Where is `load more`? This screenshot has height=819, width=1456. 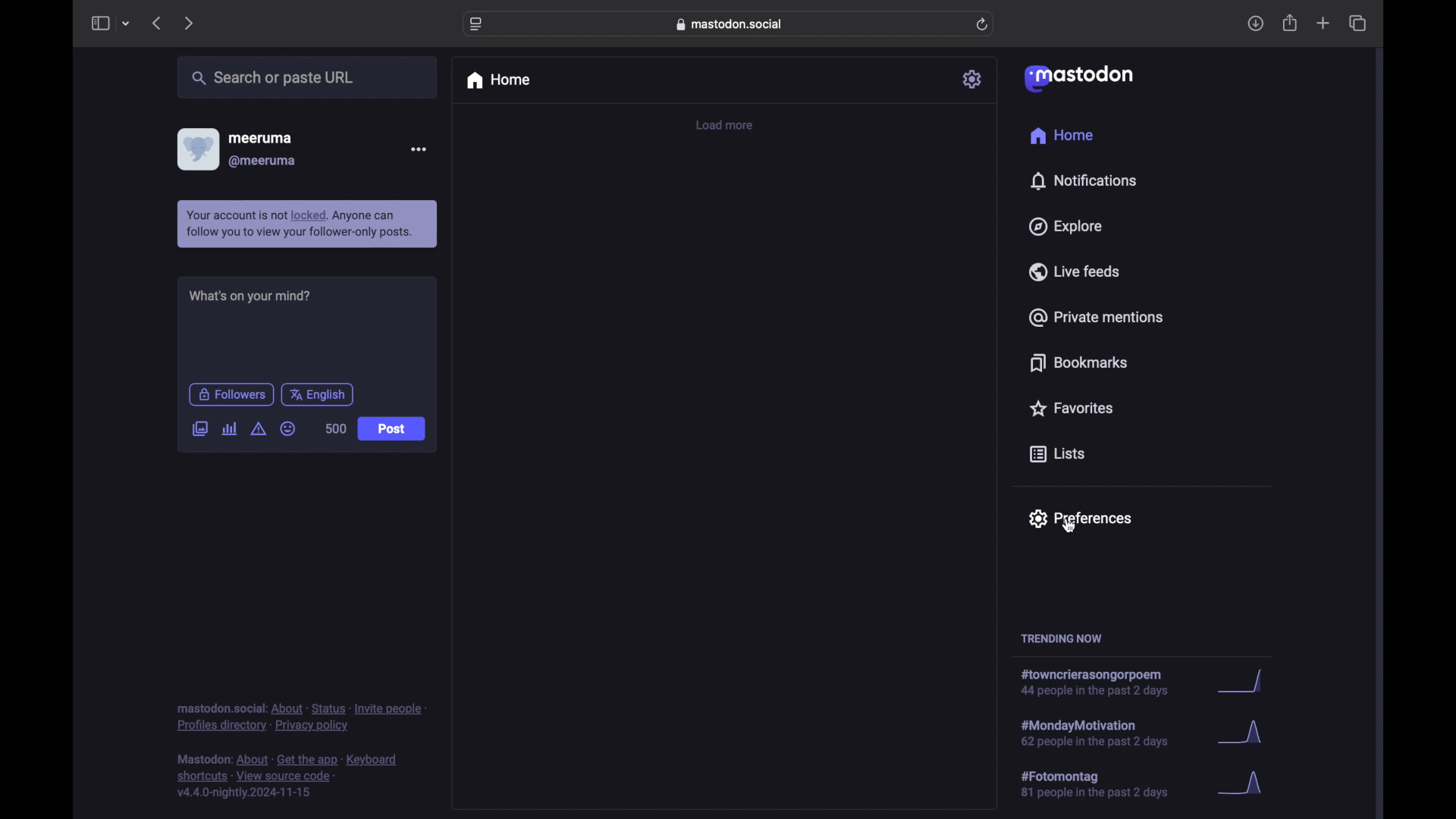 load more is located at coordinates (724, 125).